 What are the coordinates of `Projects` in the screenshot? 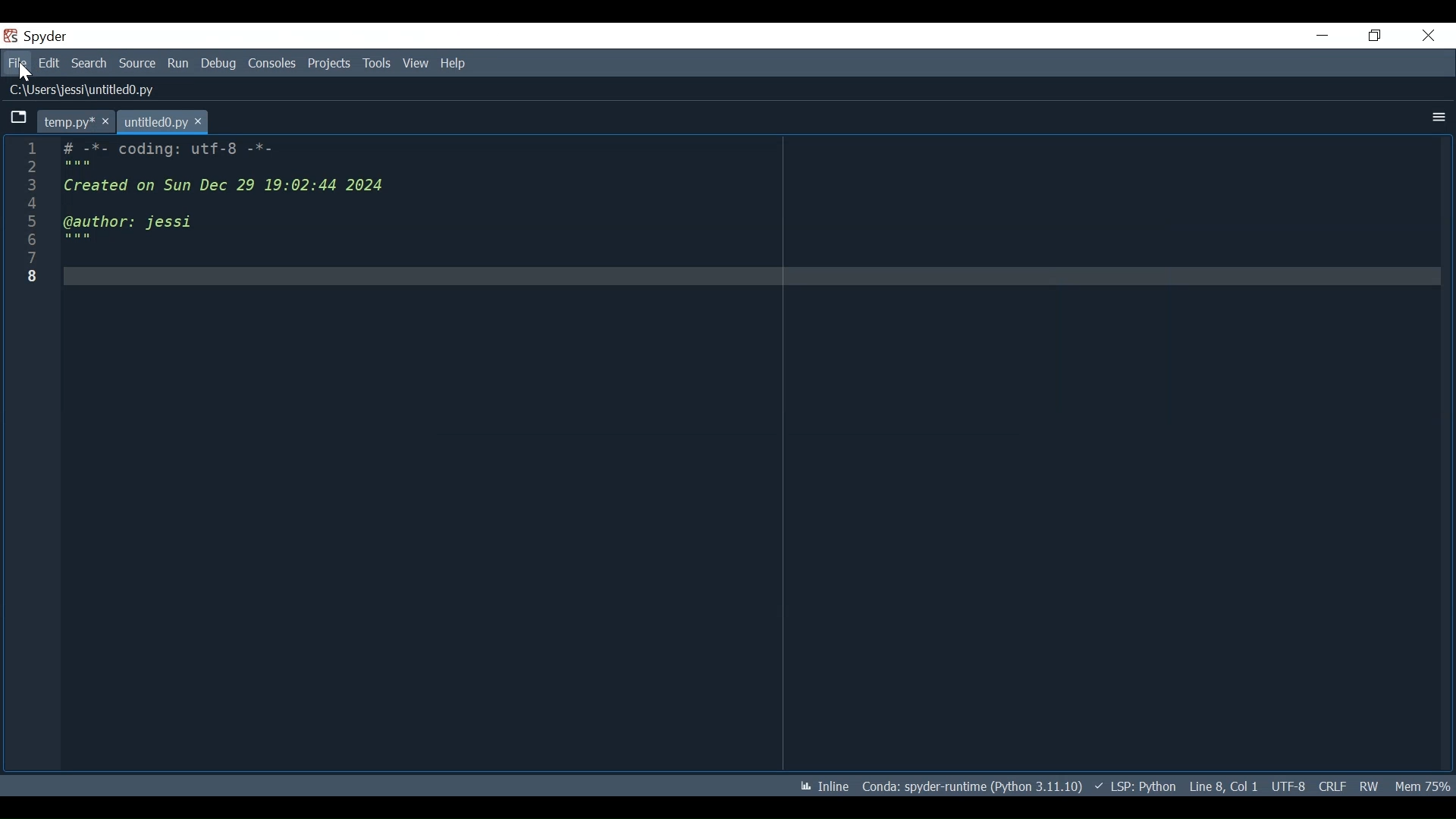 It's located at (330, 64).